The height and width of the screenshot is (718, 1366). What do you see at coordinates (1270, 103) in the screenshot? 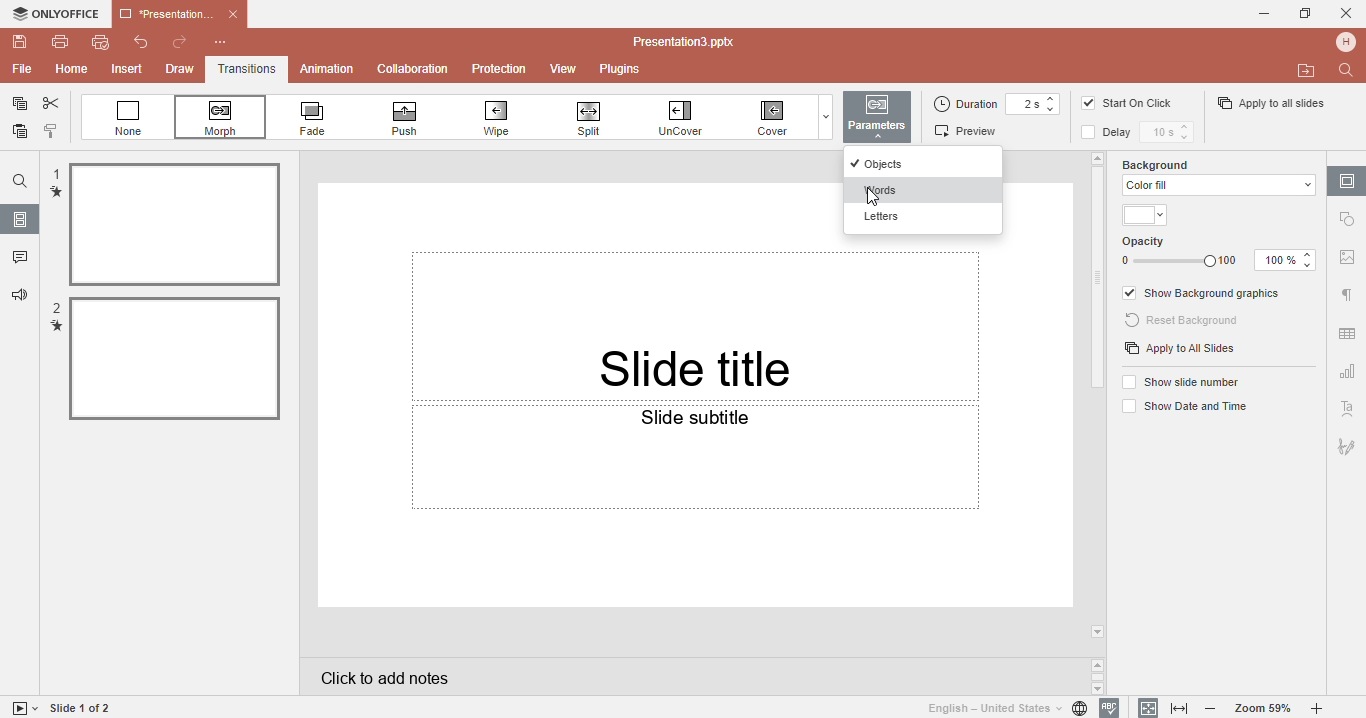
I see `Apply to all slides` at bounding box center [1270, 103].